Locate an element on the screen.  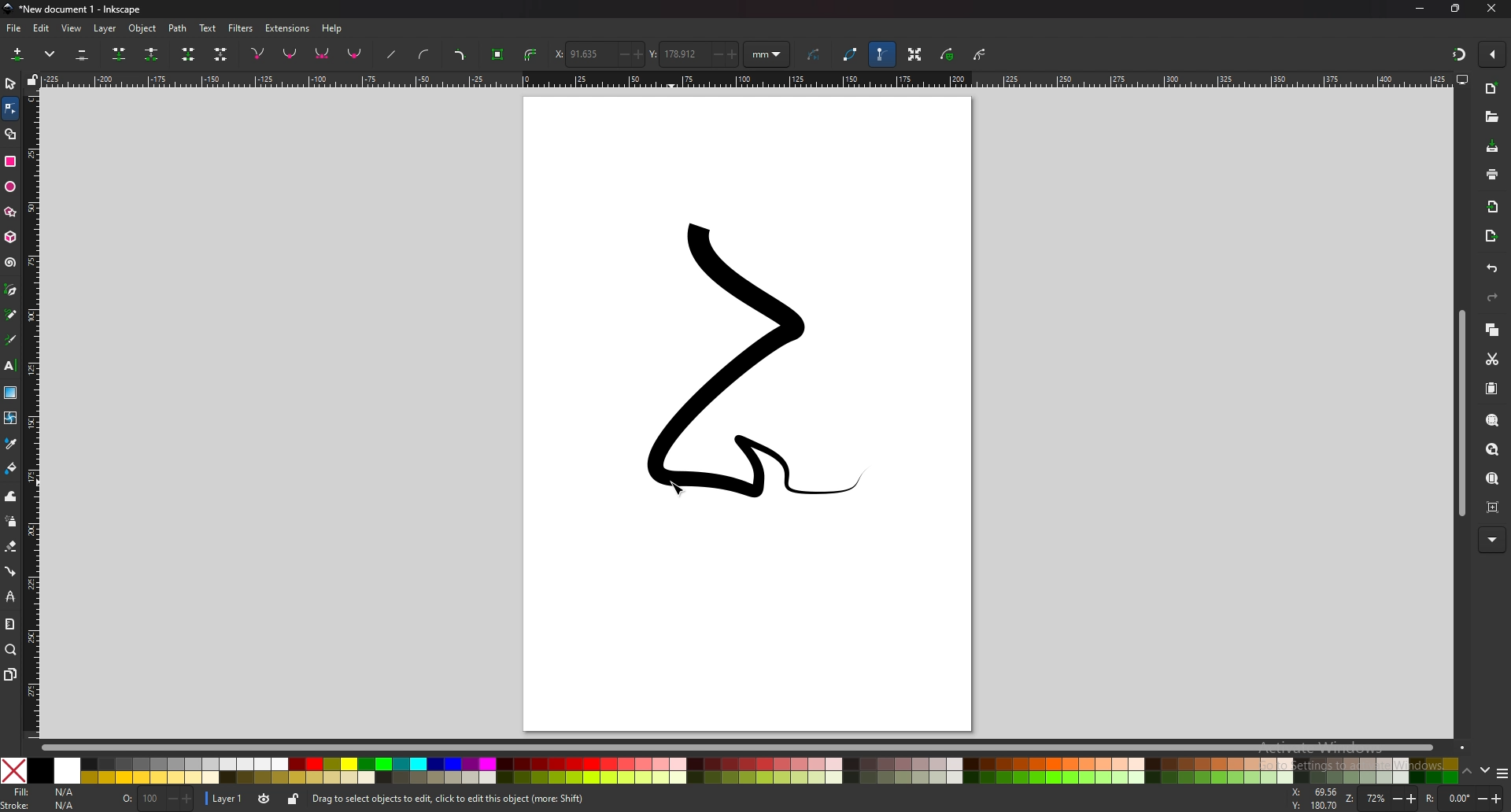
print is located at coordinates (1493, 175).